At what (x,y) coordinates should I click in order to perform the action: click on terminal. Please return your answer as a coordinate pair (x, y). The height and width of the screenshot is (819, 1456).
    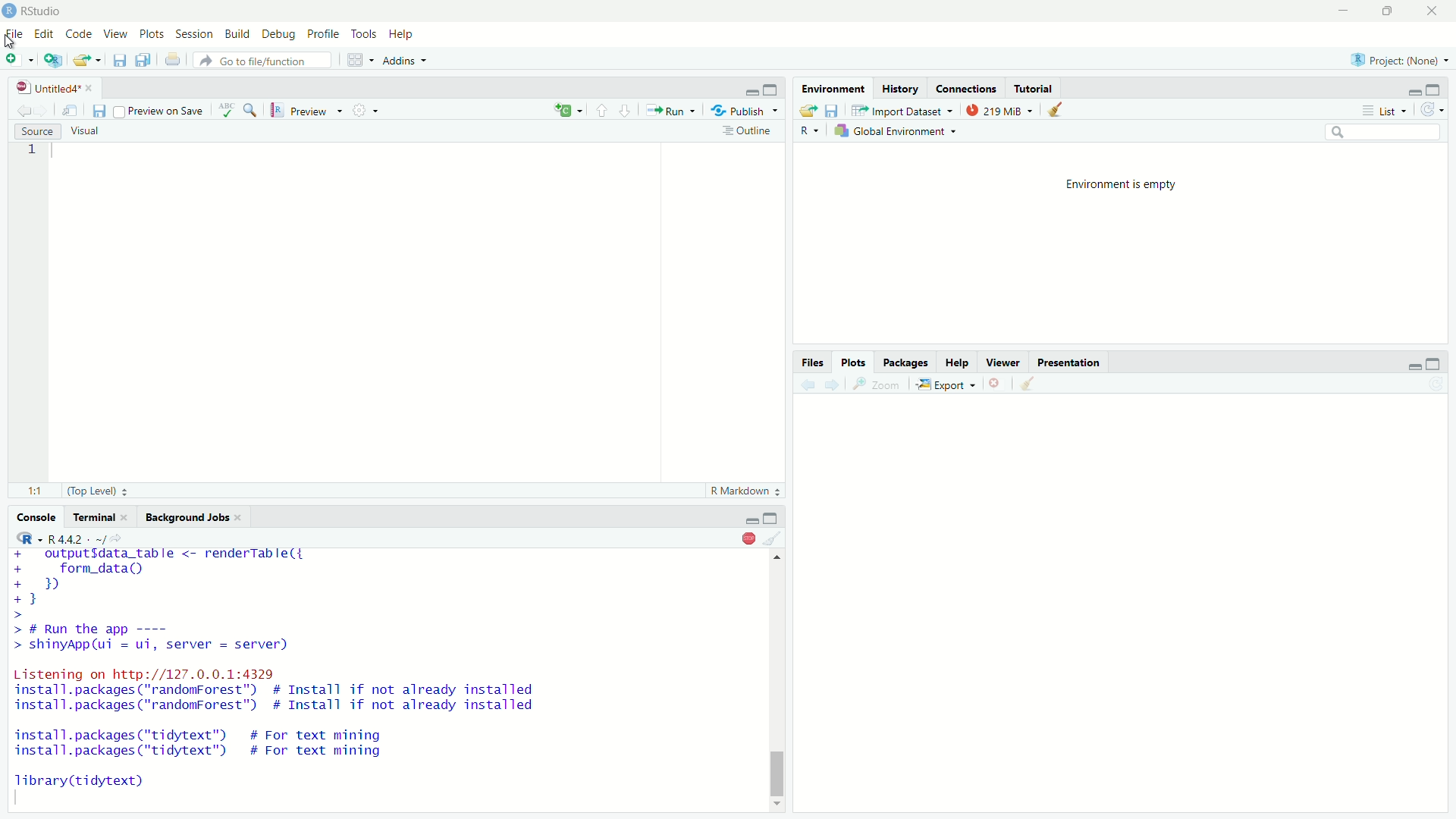
    Looking at the image, I should click on (102, 516).